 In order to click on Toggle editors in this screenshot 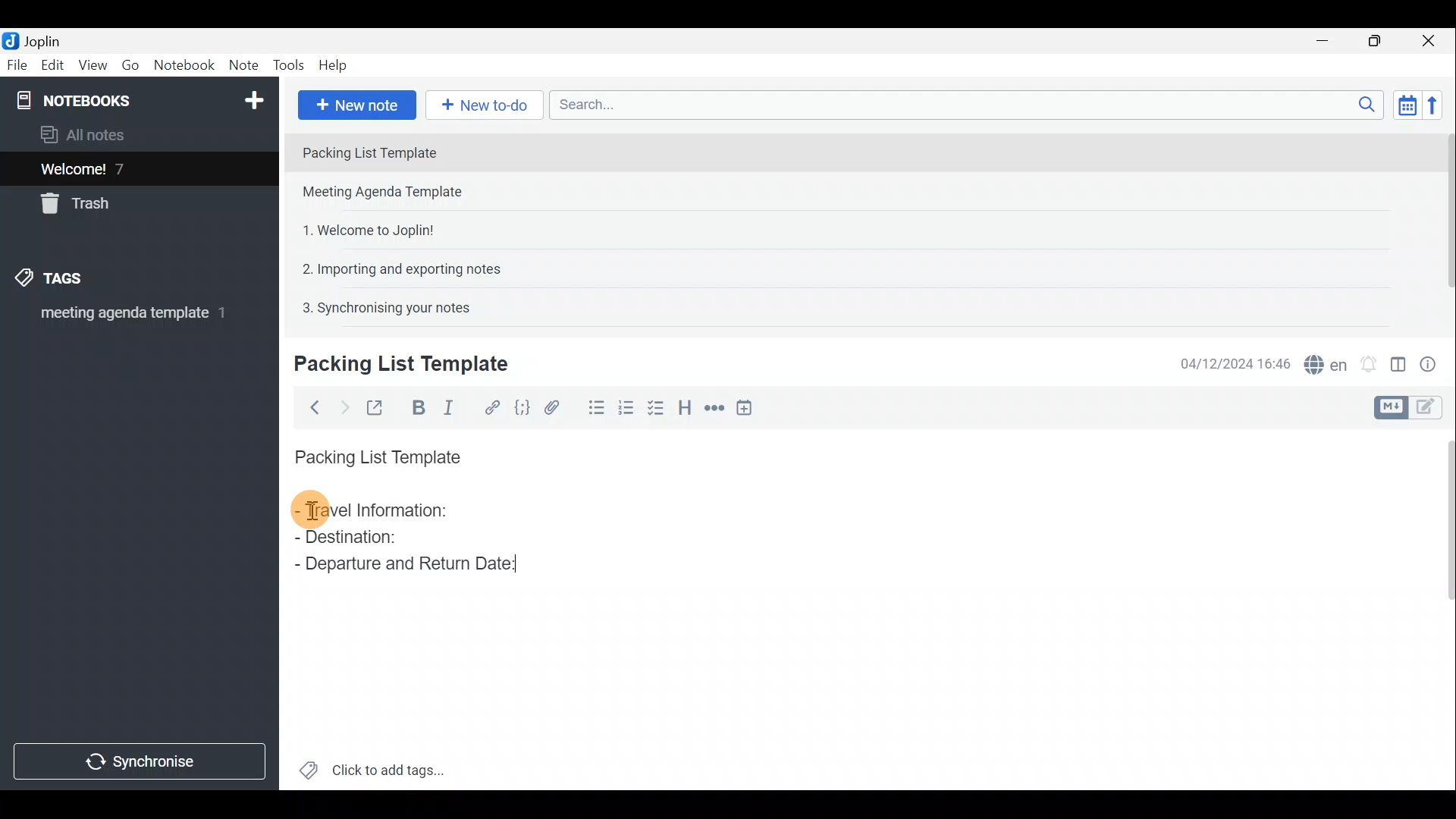, I will do `click(1433, 409)`.